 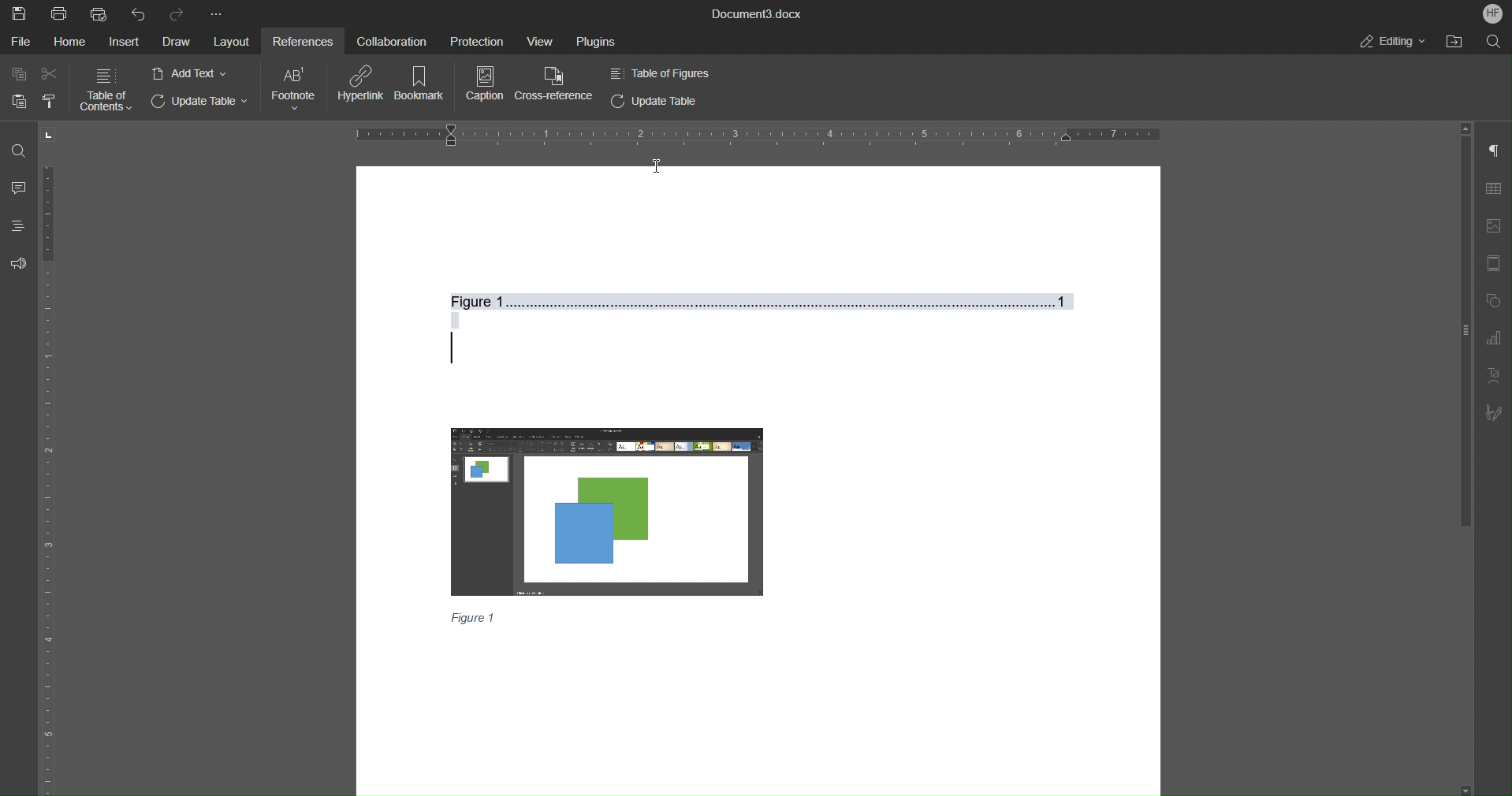 What do you see at coordinates (16, 225) in the screenshot?
I see `Headings` at bounding box center [16, 225].